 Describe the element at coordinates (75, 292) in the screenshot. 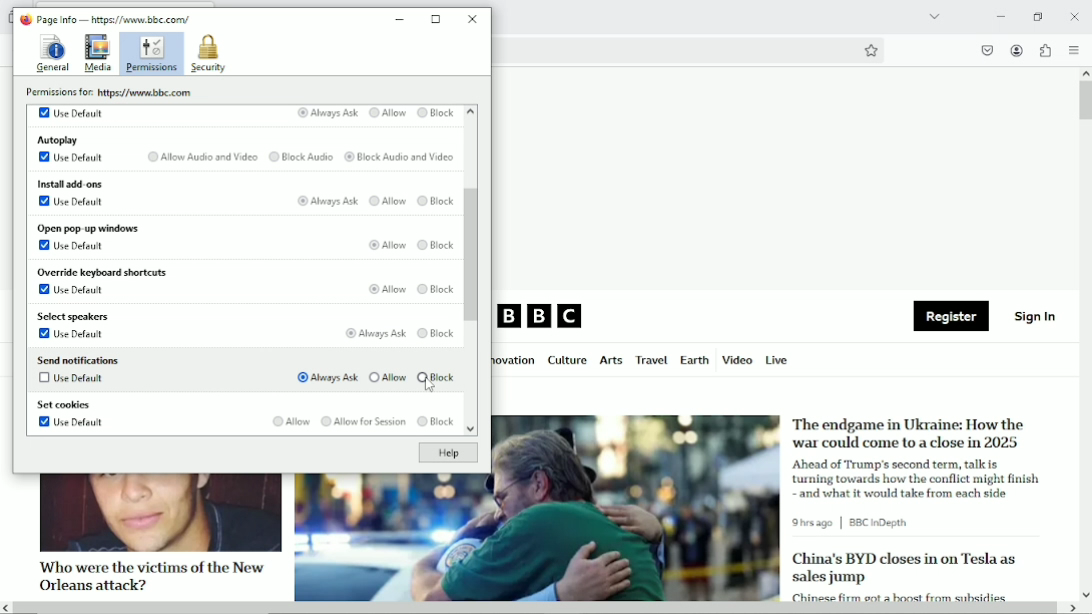

I see `Use default` at that location.